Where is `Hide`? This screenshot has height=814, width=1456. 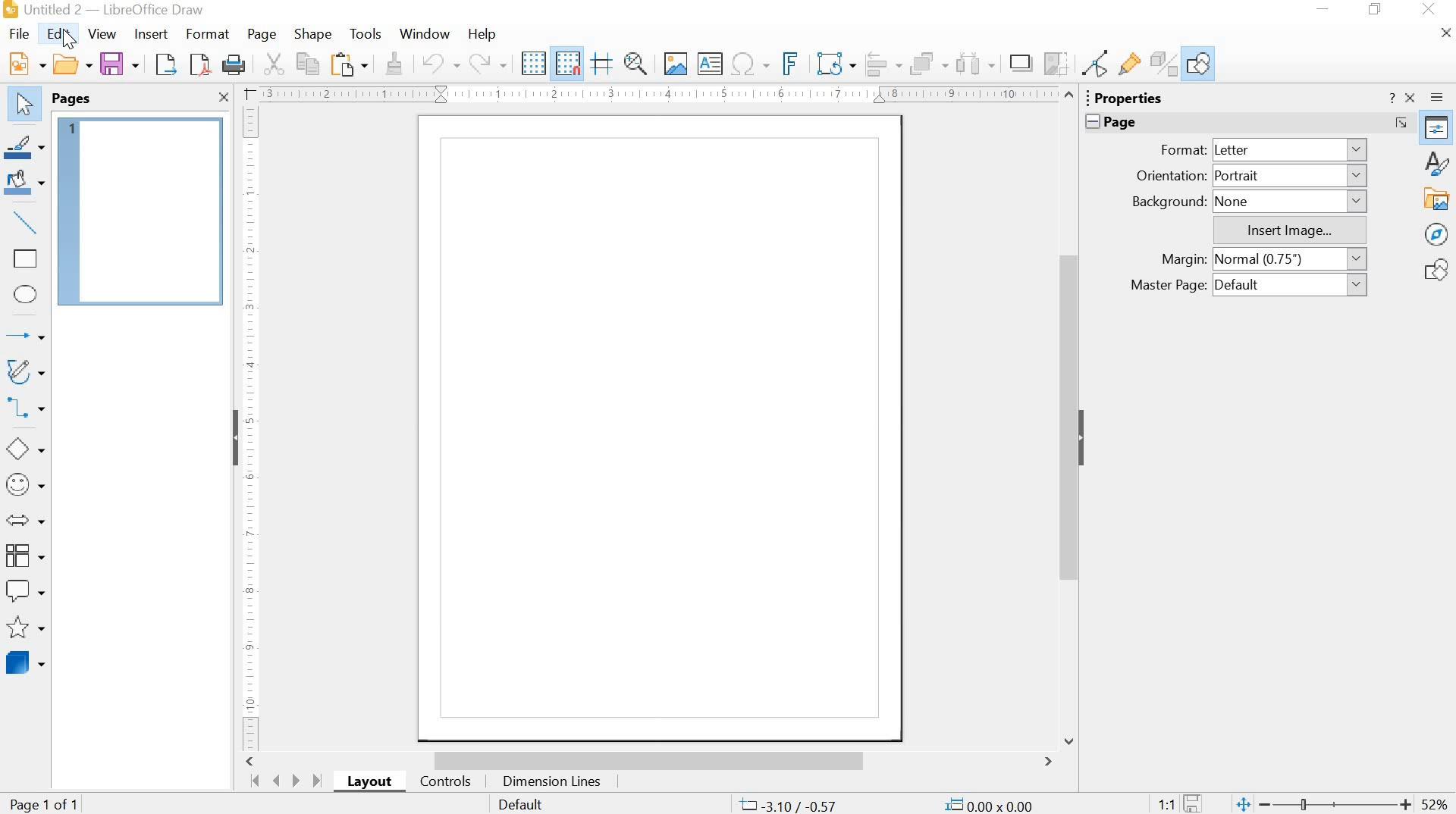 Hide is located at coordinates (235, 437).